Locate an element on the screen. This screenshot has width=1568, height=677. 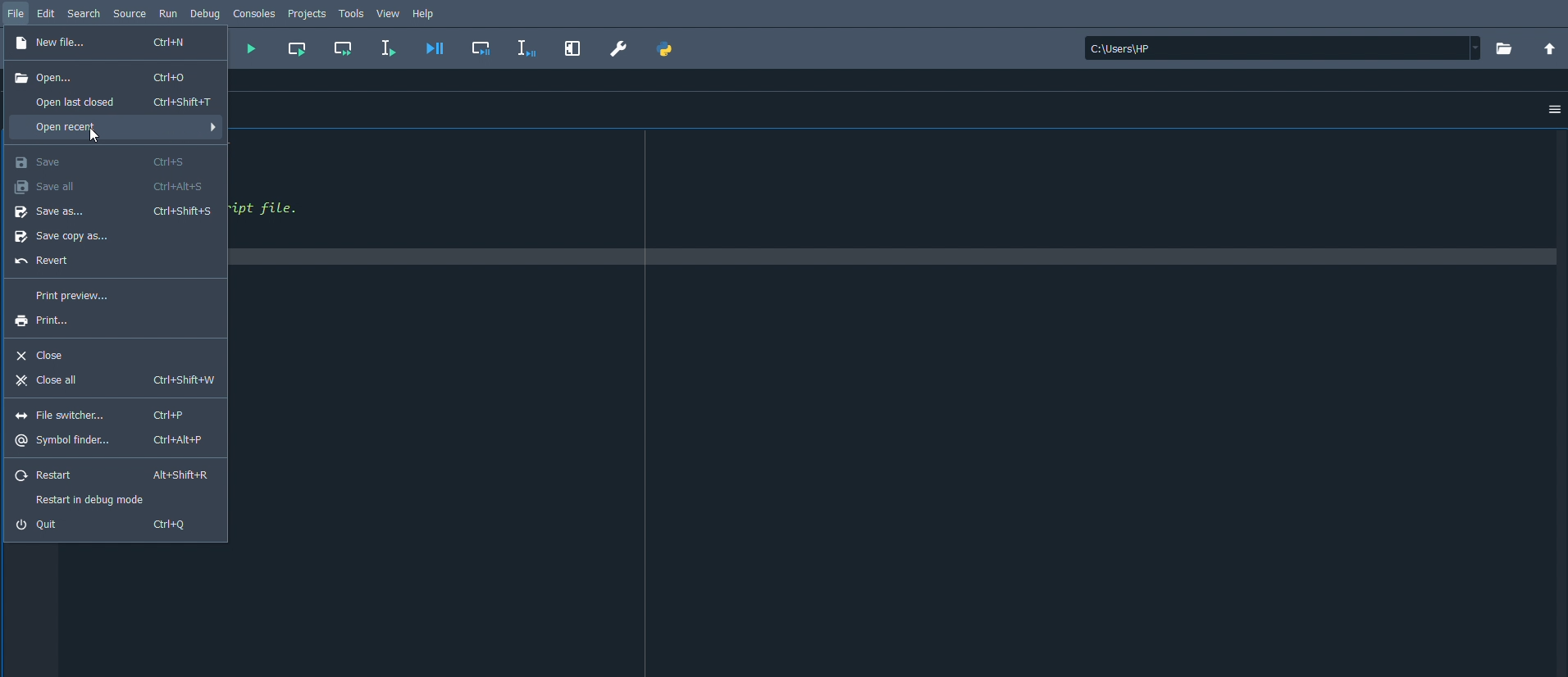
Debug selection or current line is located at coordinates (526, 48).